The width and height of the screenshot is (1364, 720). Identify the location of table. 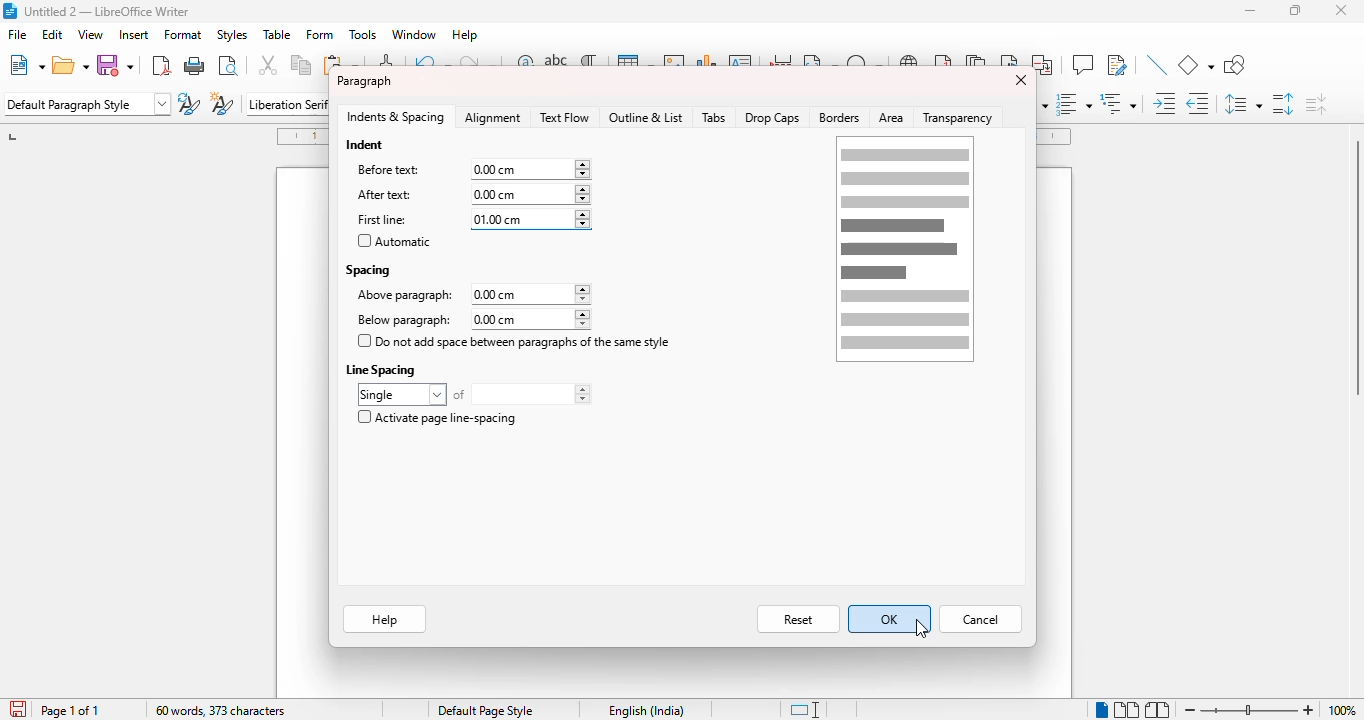
(277, 35).